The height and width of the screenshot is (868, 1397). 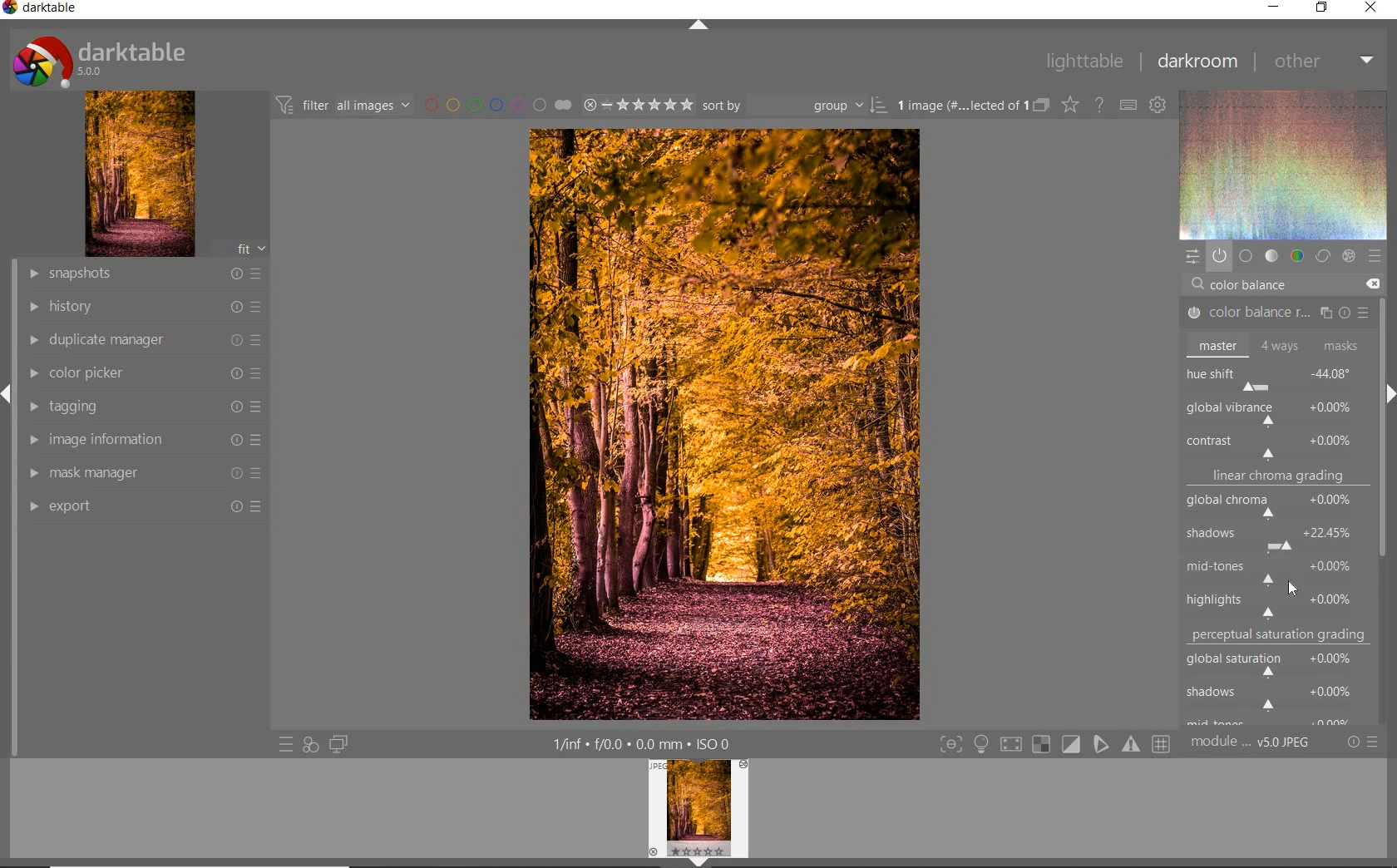 What do you see at coordinates (1198, 61) in the screenshot?
I see `darkroom` at bounding box center [1198, 61].